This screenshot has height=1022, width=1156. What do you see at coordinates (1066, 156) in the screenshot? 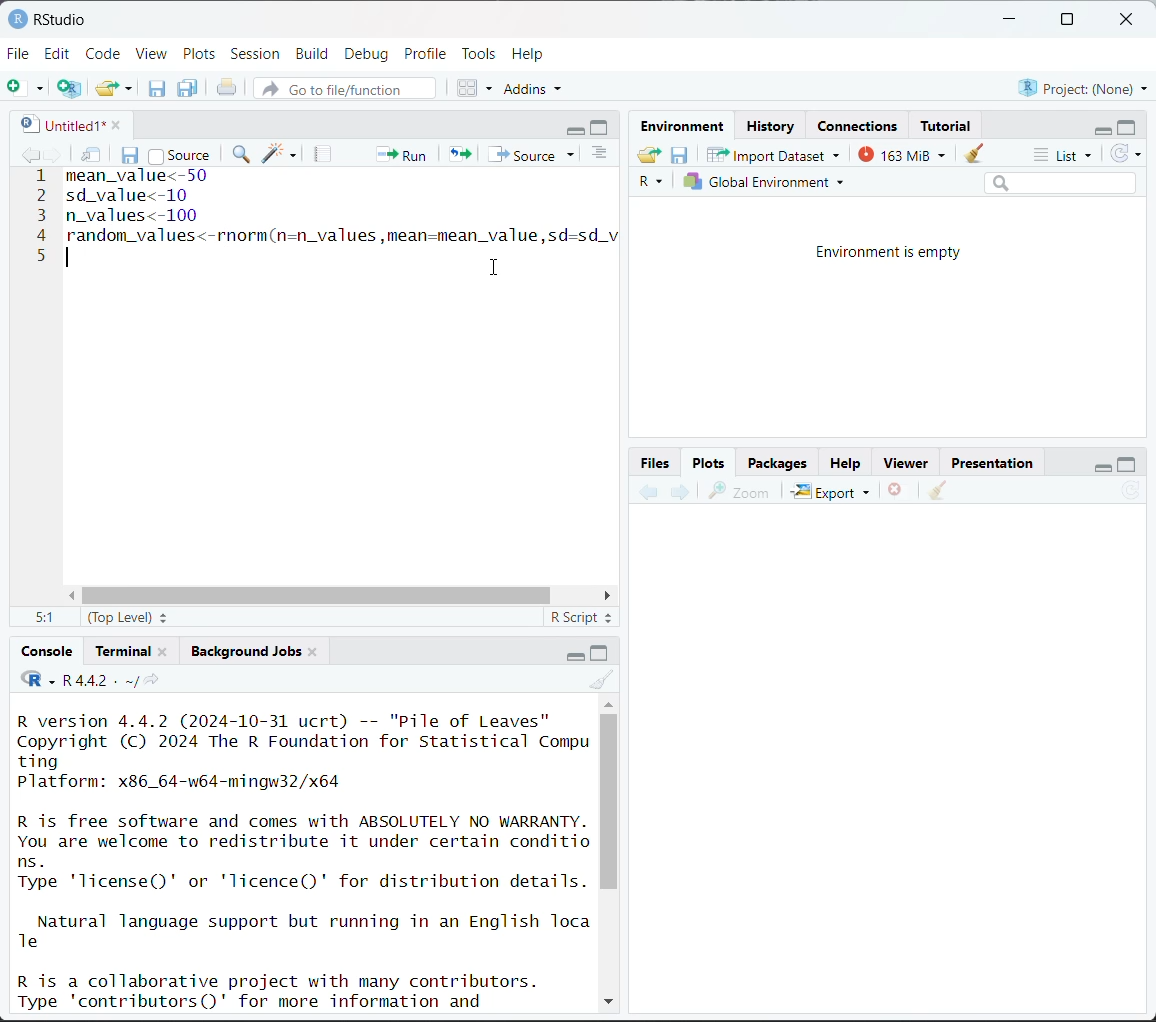
I see `list` at bounding box center [1066, 156].